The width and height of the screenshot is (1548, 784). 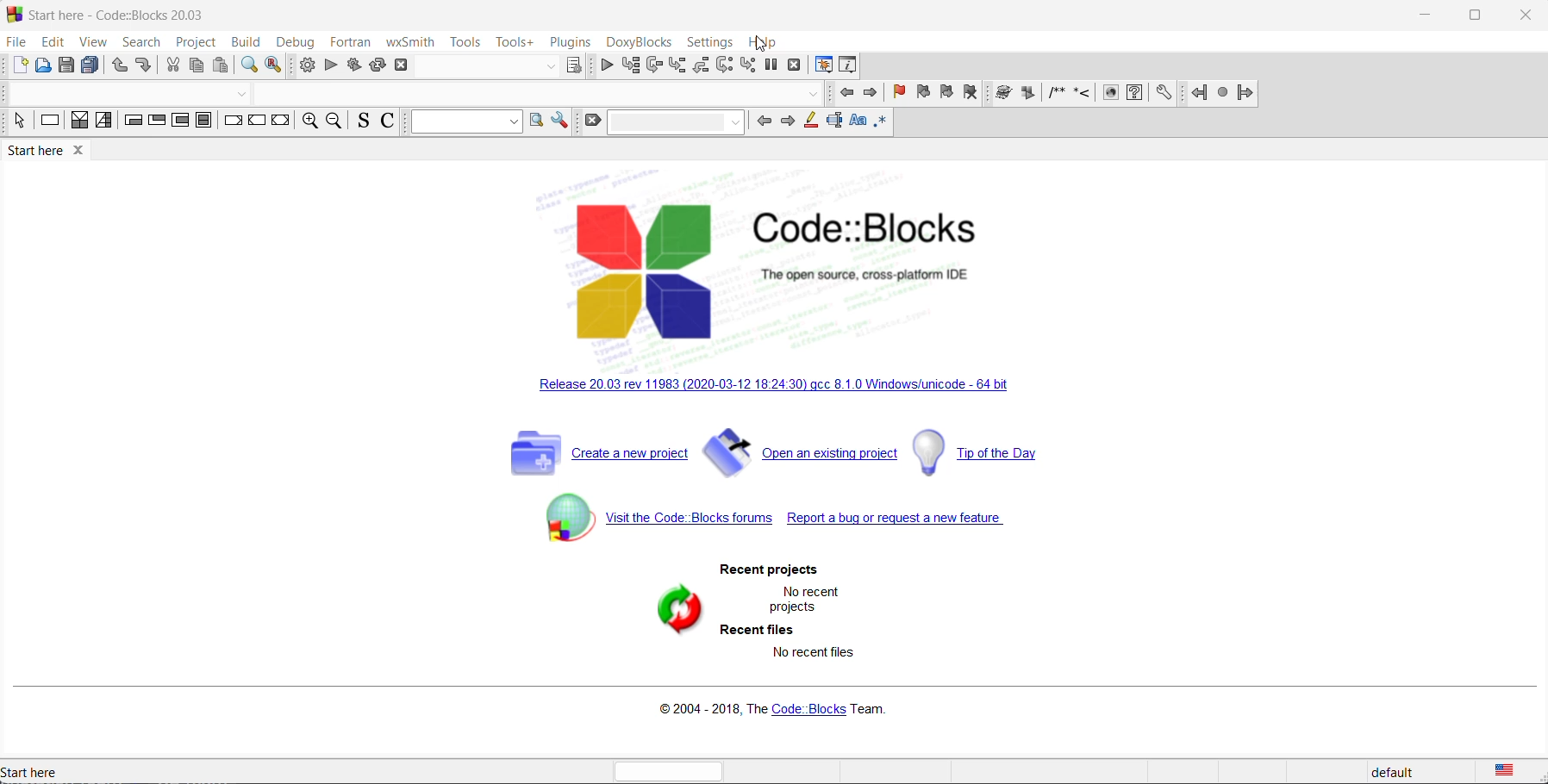 I want to click on icon, so click(x=1085, y=94).